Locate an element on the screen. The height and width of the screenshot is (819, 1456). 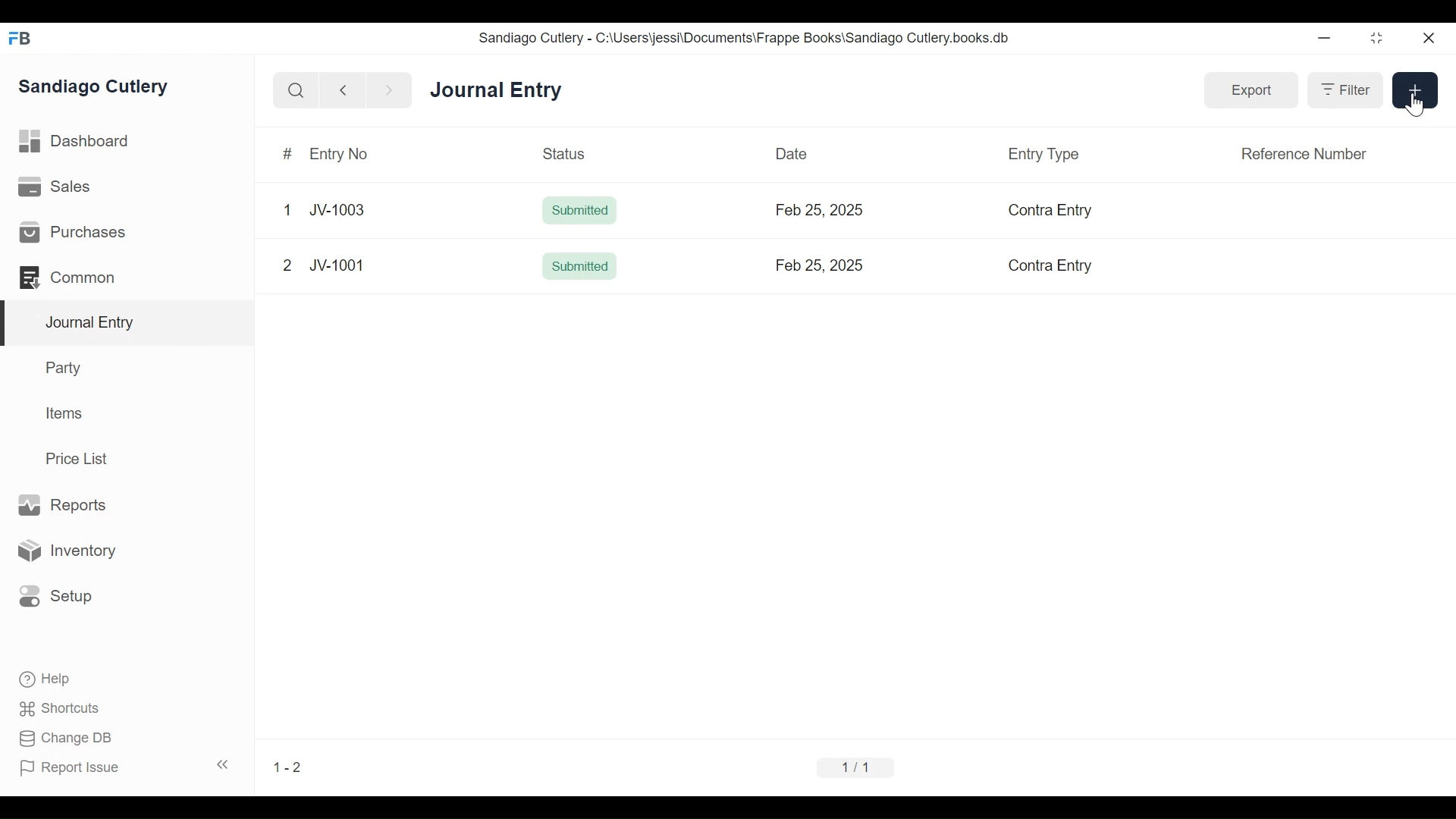
Setup is located at coordinates (56, 597).